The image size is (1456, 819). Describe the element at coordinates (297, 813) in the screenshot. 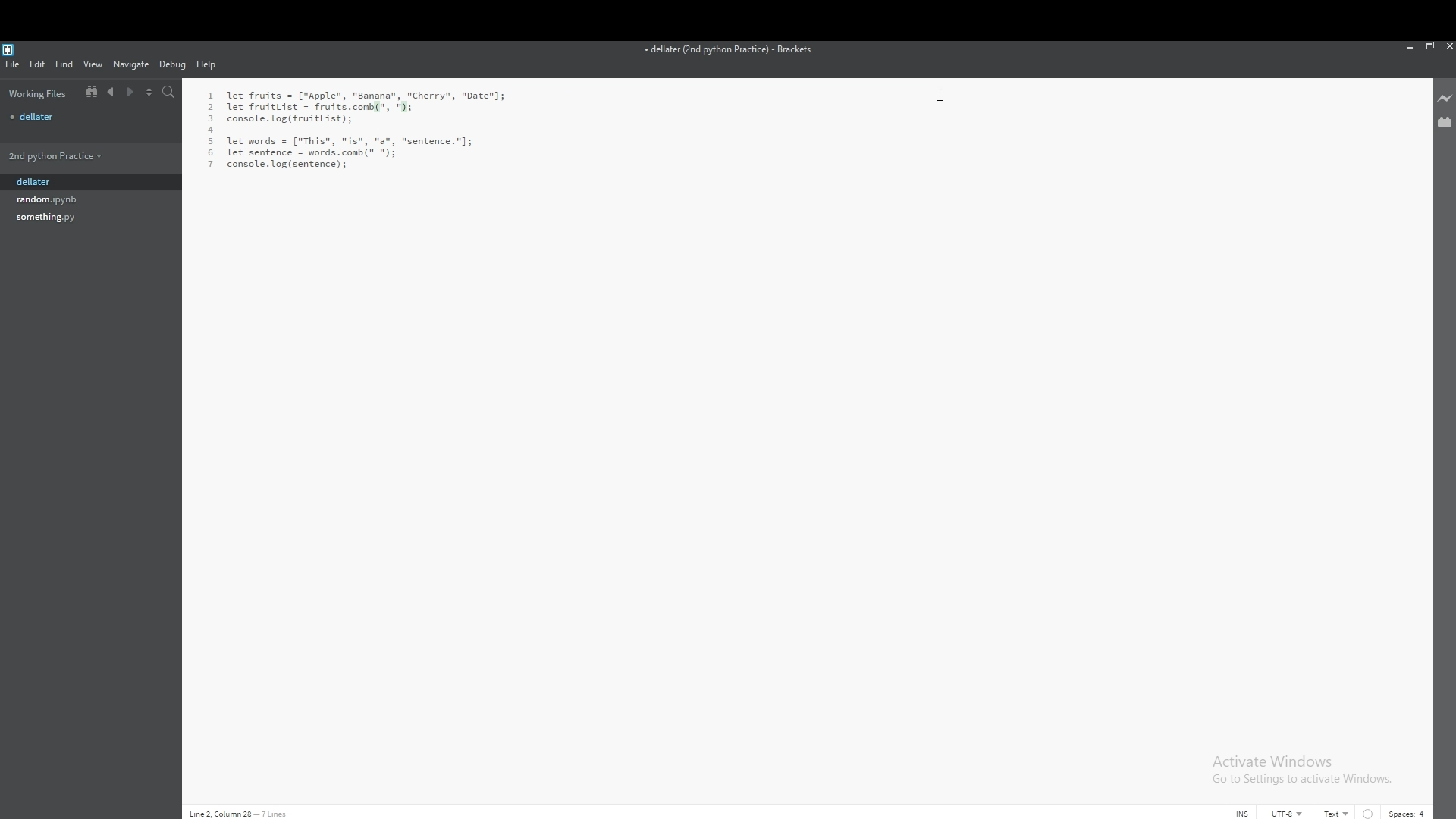

I see `Line 2, Column 28 - Selected 4 columns - 7 lines` at that location.